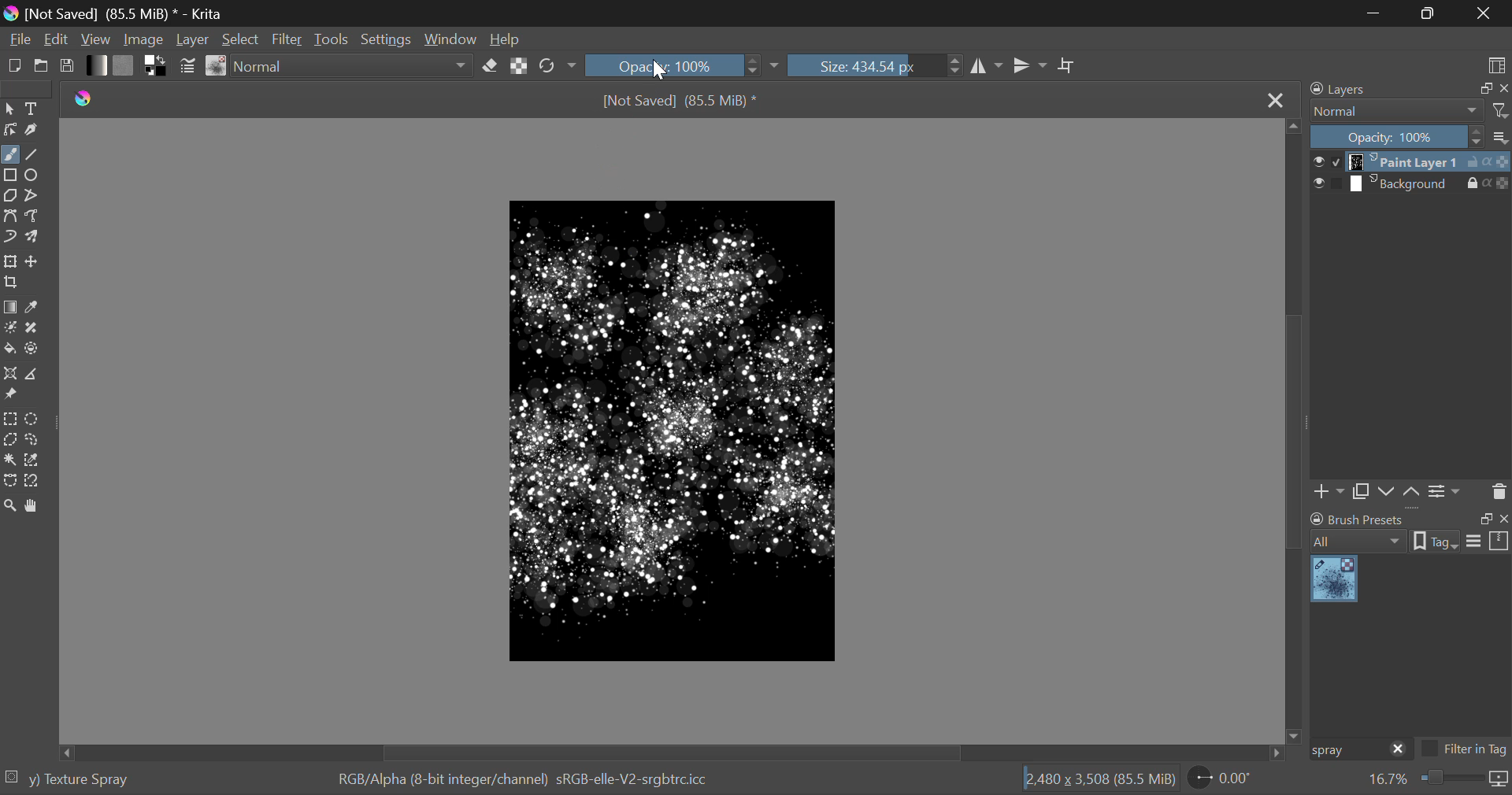  I want to click on Freehand Selection, so click(33, 439).